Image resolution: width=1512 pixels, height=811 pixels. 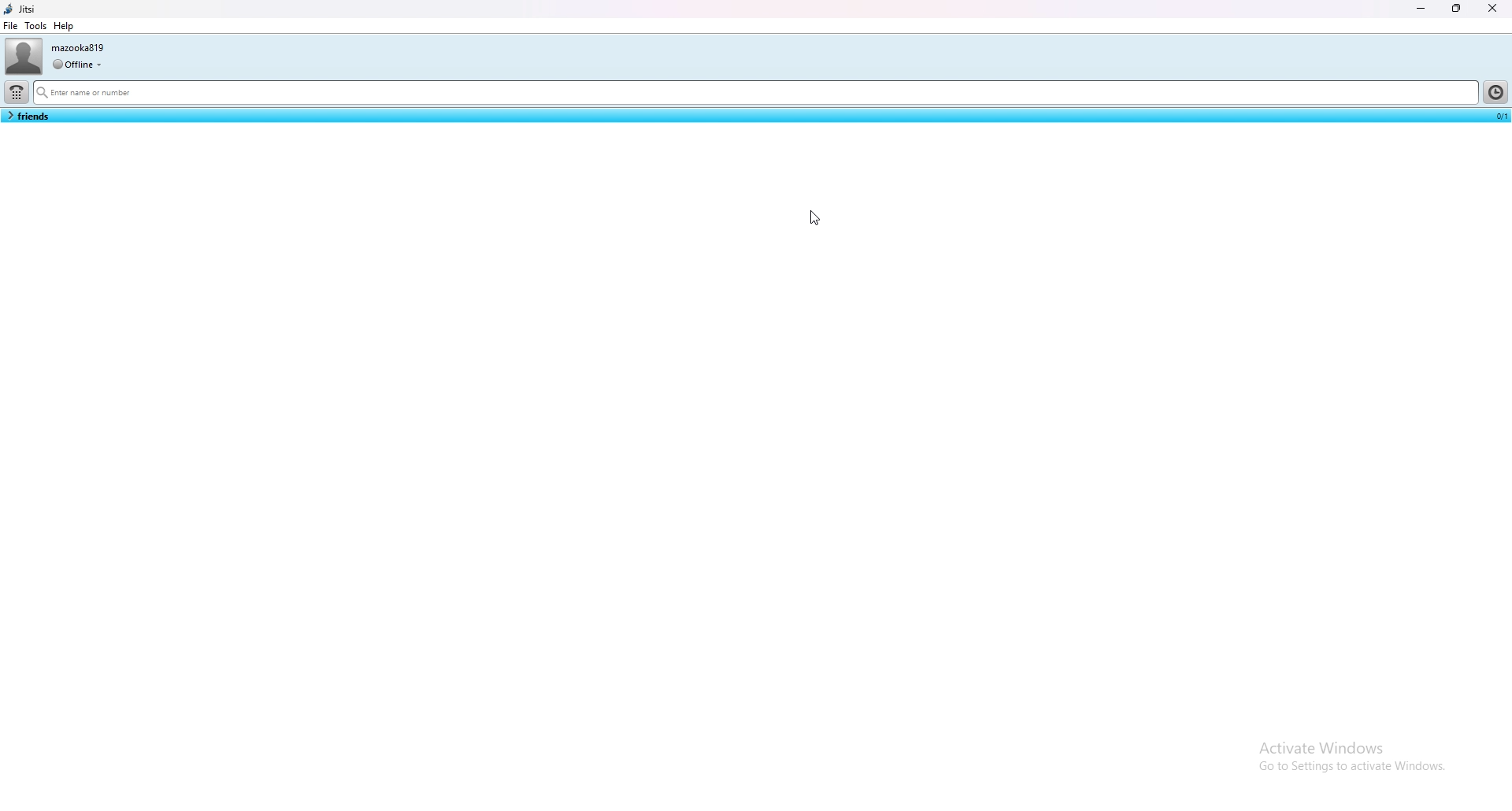 What do you see at coordinates (1351, 745) in the screenshot?
I see `Activate windows` at bounding box center [1351, 745].